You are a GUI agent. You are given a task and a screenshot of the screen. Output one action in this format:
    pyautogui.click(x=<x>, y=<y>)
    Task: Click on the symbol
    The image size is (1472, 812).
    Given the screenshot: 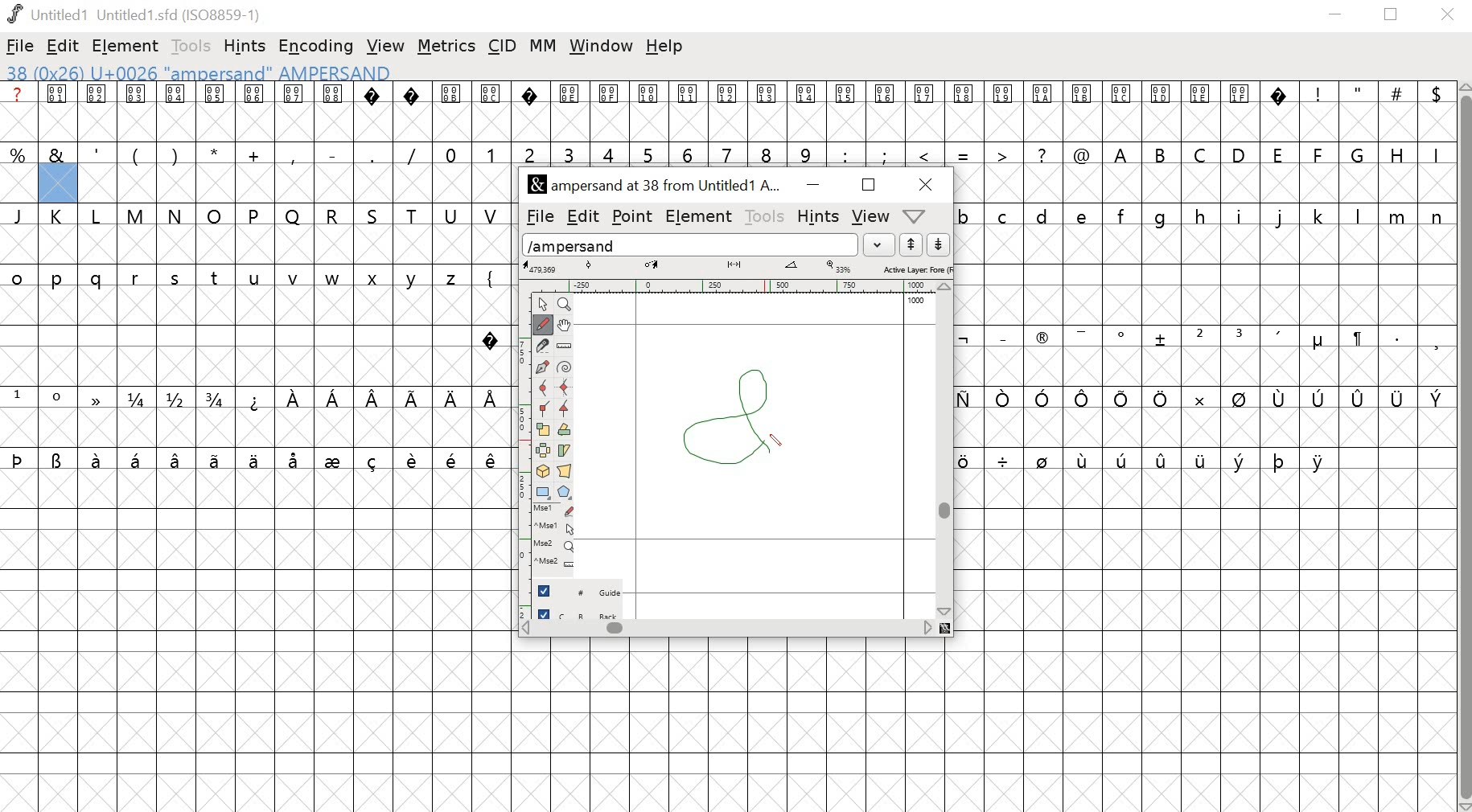 What is the action you would take?
    pyautogui.click(x=491, y=460)
    